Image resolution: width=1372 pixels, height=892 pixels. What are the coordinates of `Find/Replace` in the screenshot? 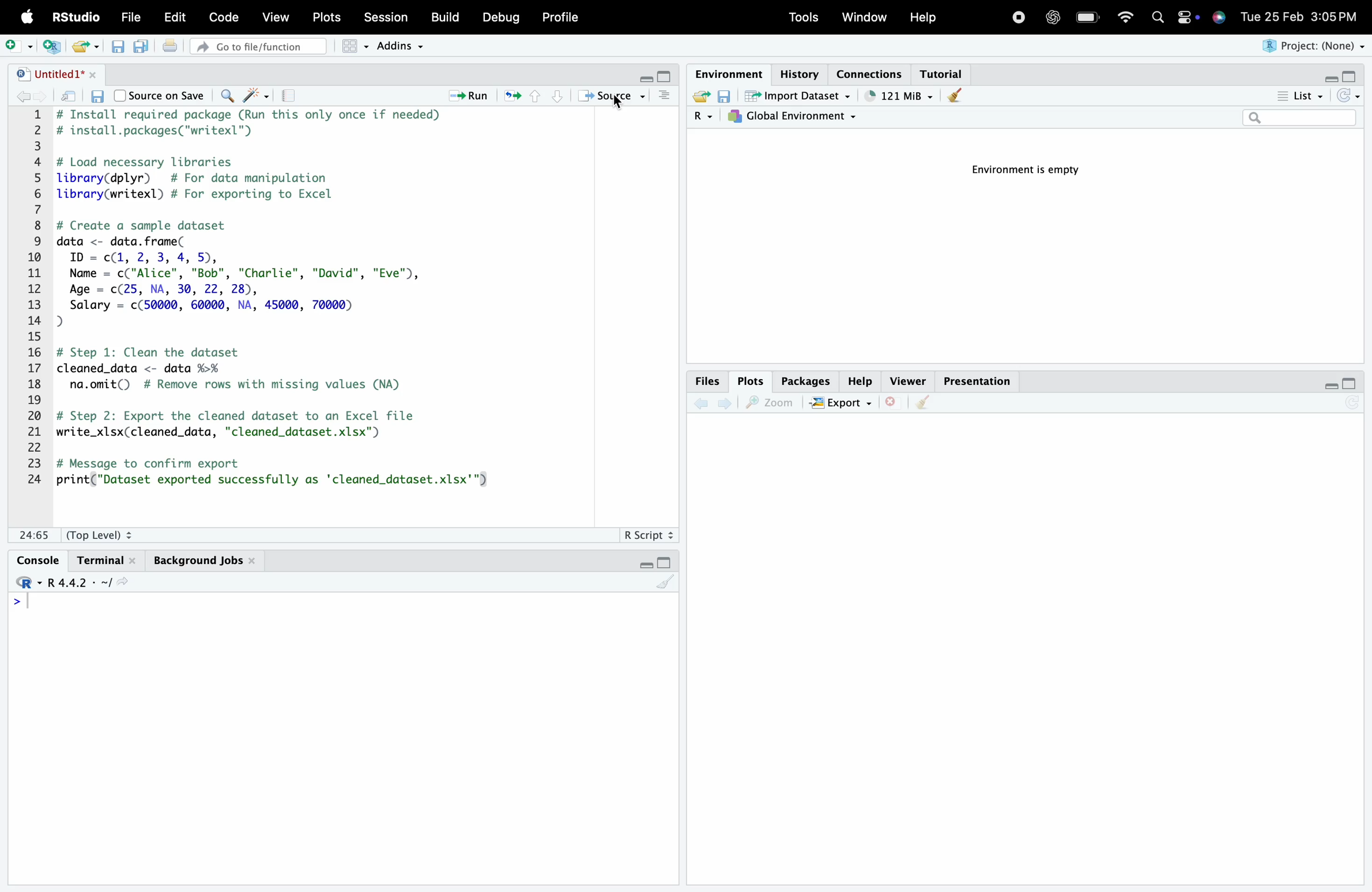 It's located at (226, 96).